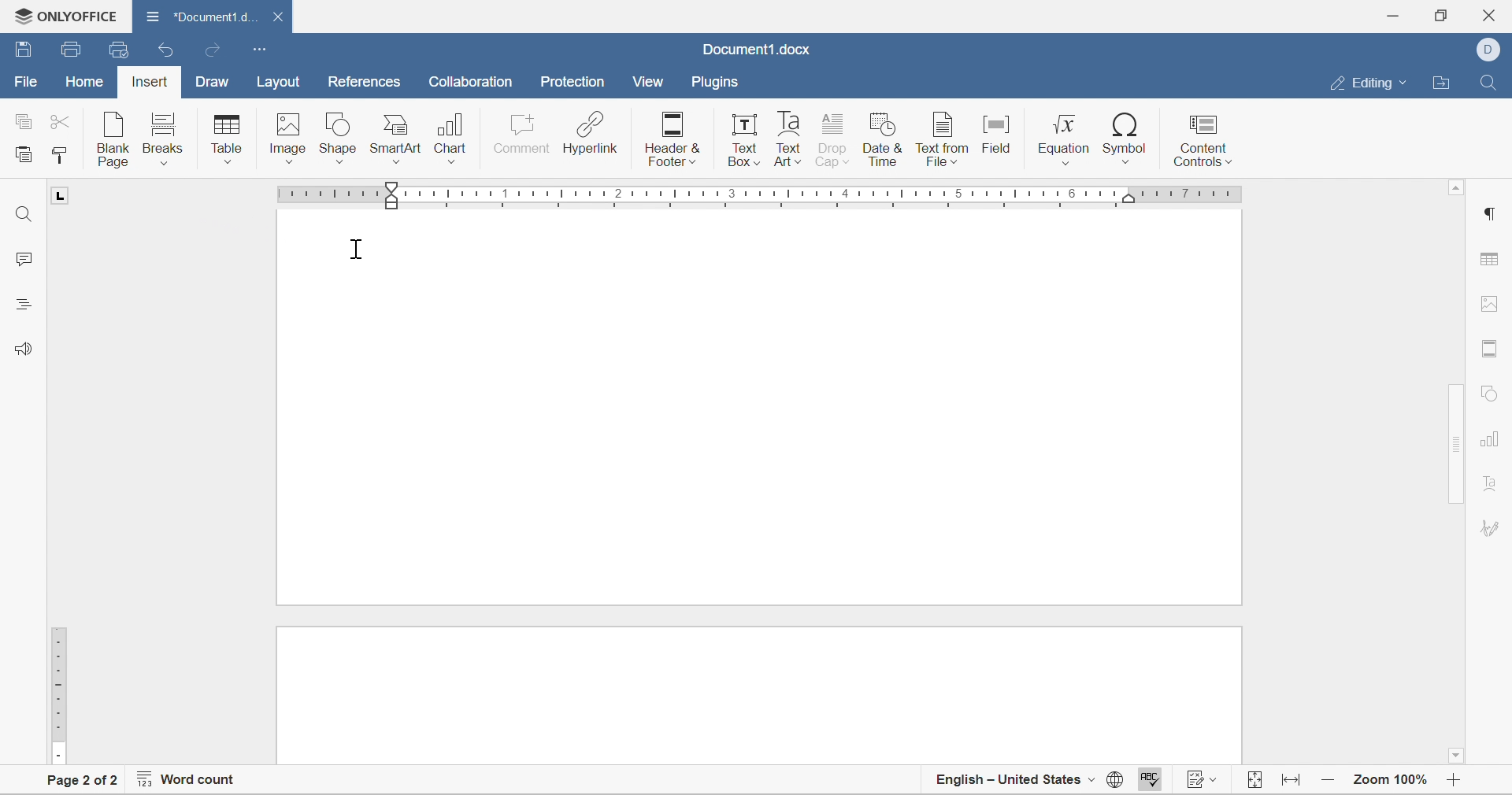 This screenshot has width=1512, height=795. Describe the element at coordinates (1457, 190) in the screenshot. I see `Scroll up` at that location.